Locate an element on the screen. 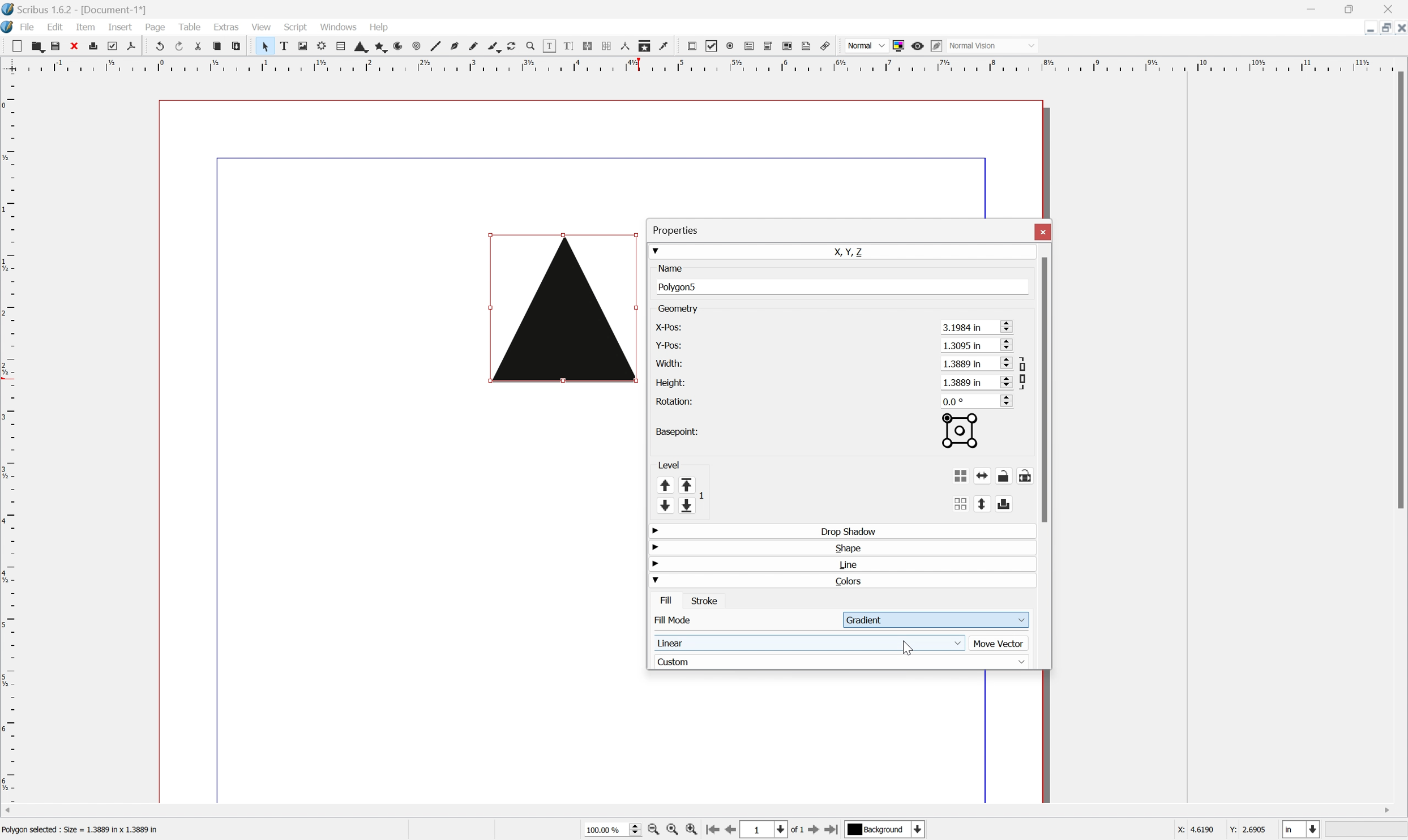 The height and width of the screenshot is (840, 1408). 100.00 % is located at coordinates (606, 830).